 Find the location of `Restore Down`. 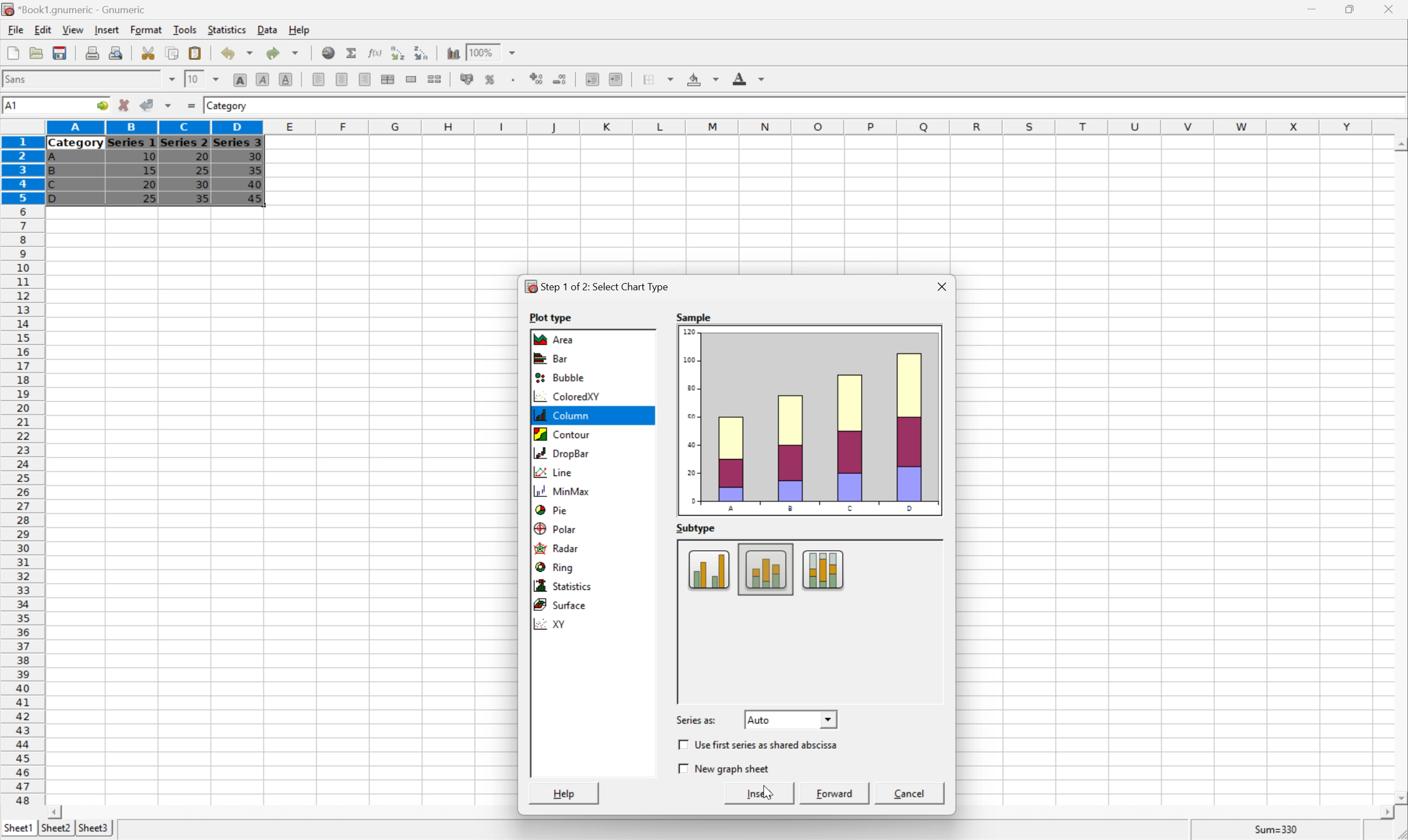

Restore Down is located at coordinates (1344, 9).